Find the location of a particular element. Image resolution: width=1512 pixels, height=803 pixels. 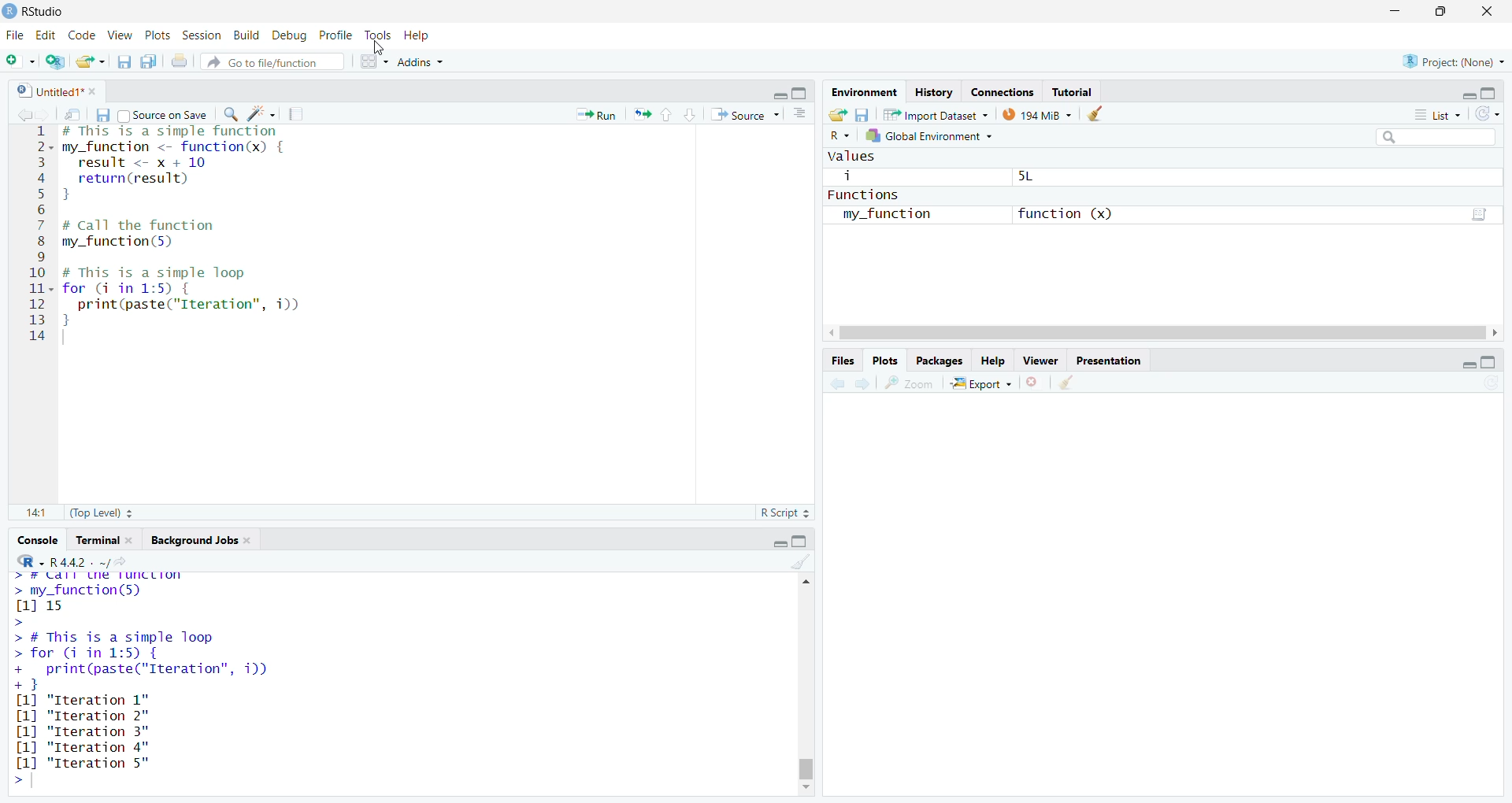

session is located at coordinates (200, 33).